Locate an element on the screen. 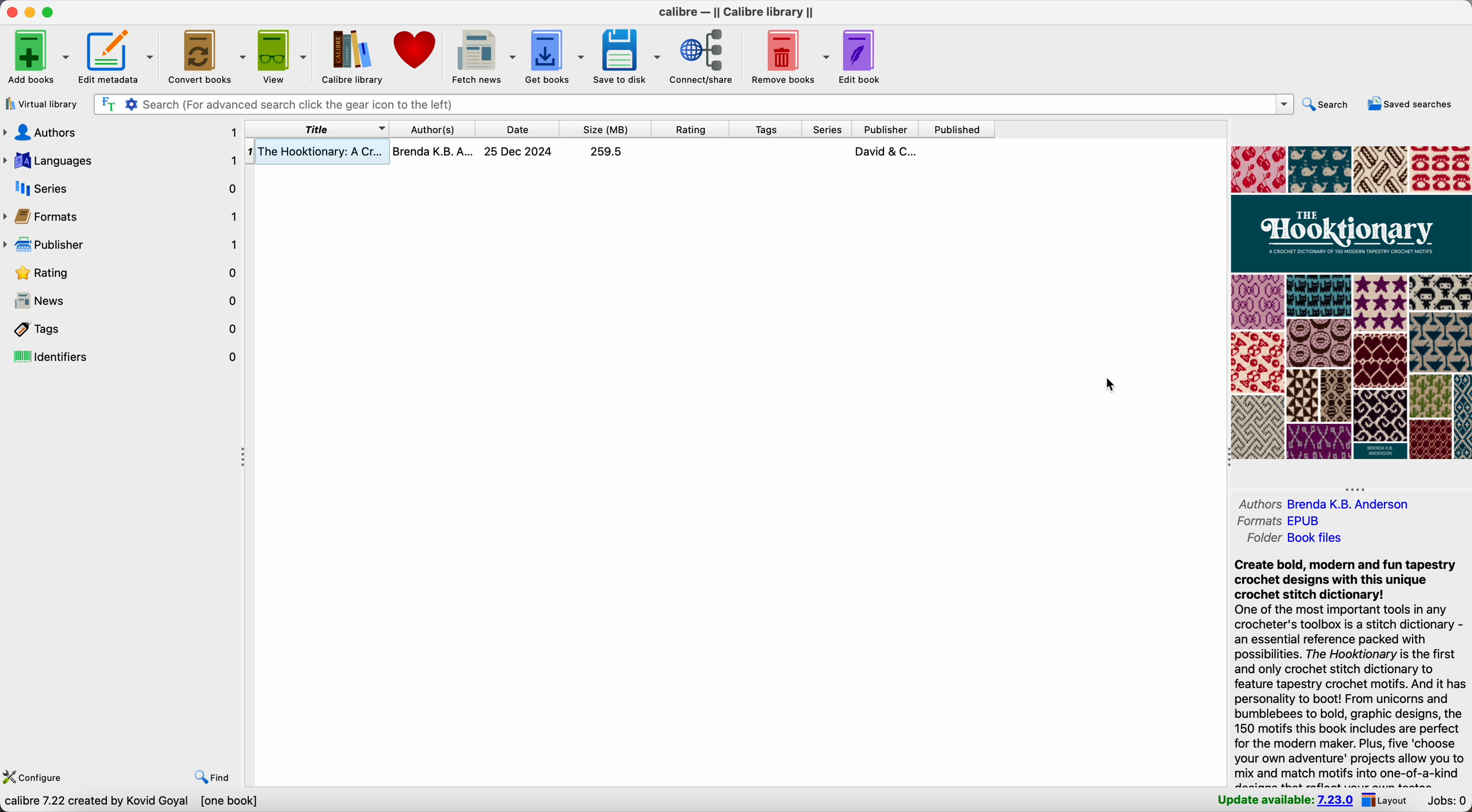 This screenshot has width=1472, height=812. get books is located at coordinates (556, 54).